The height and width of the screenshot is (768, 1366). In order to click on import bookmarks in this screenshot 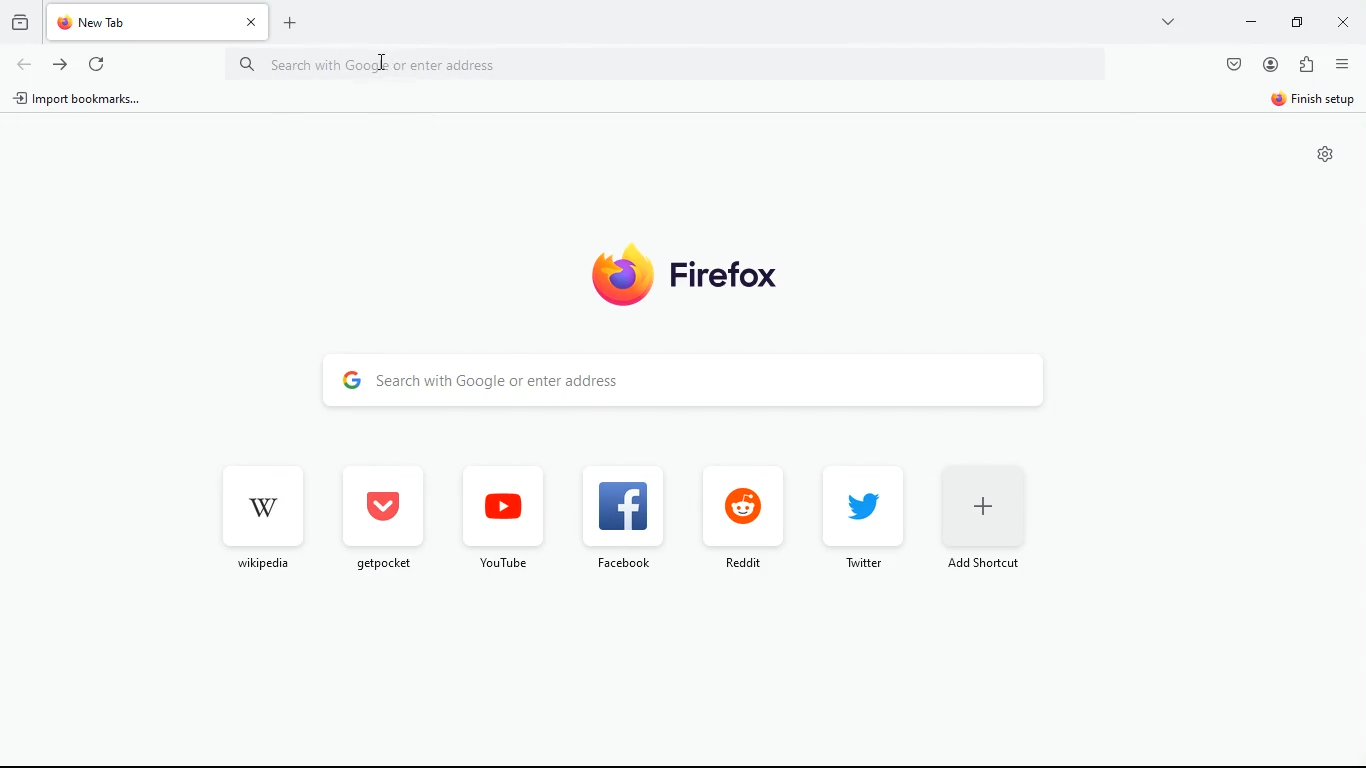, I will do `click(80, 100)`.